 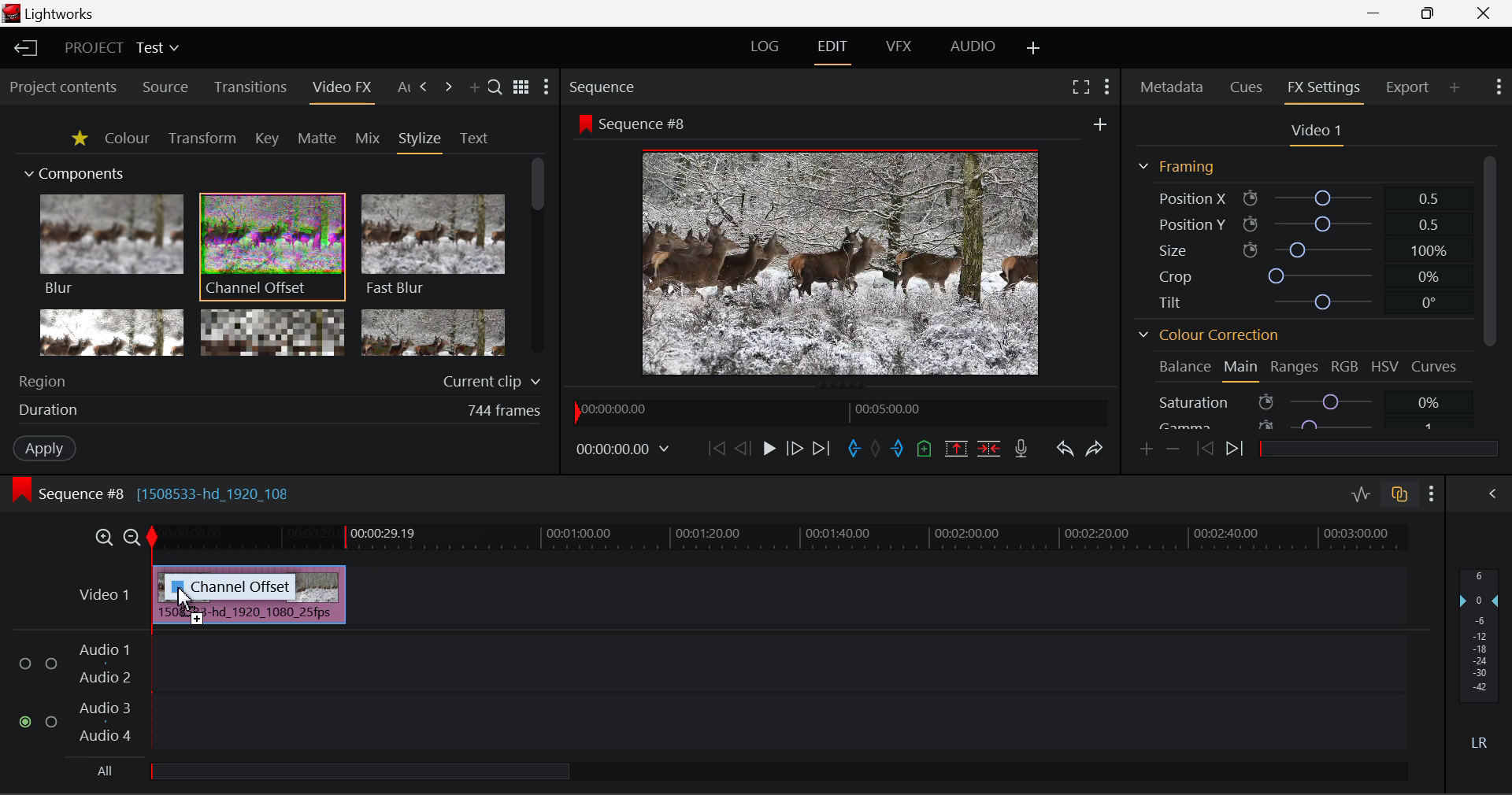 I want to click on Timeline Zoom In, so click(x=103, y=539).